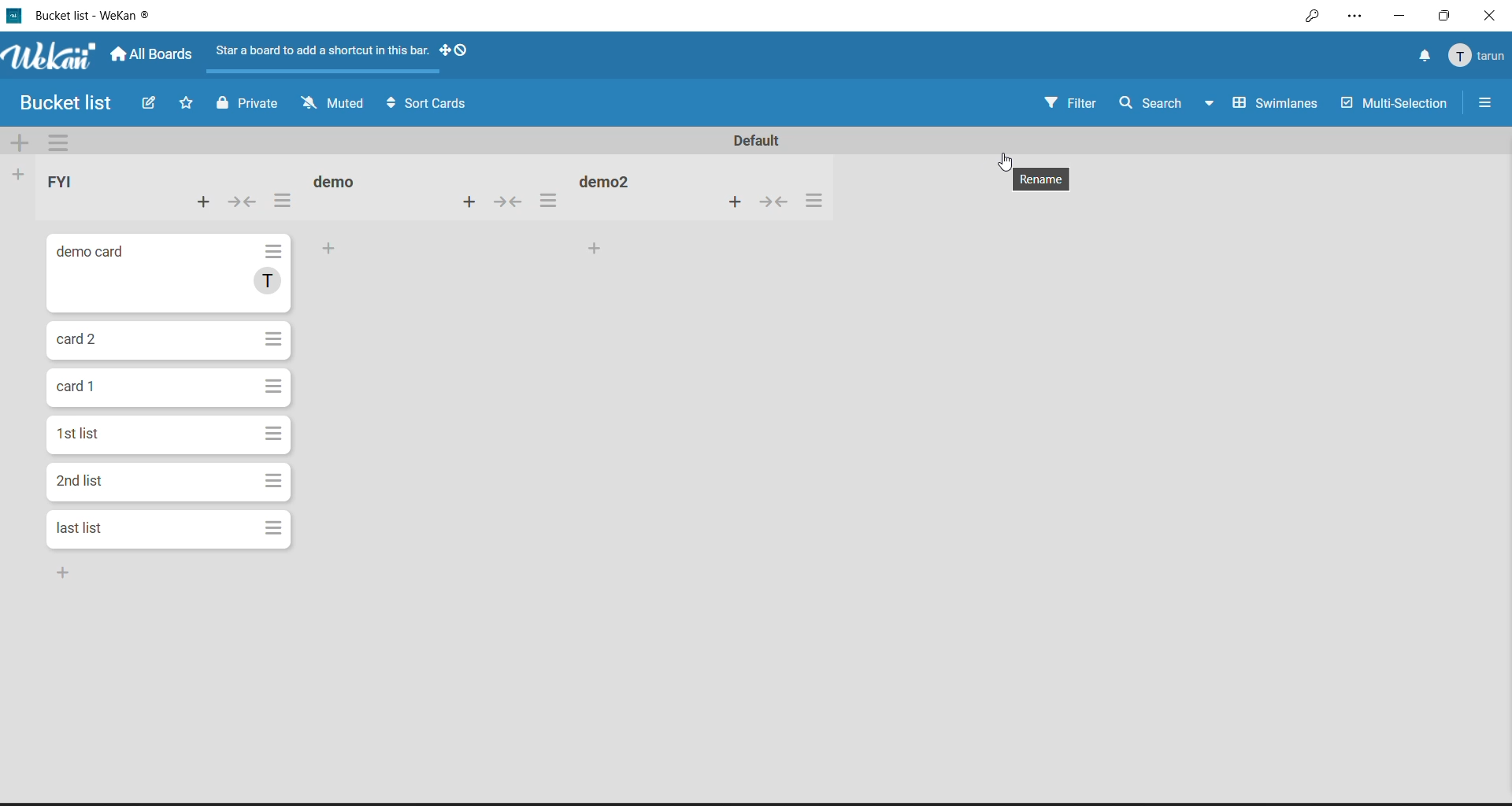 The height and width of the screenshot is (806, 1512). What do you see at coordinates (60, 571) in the screenshot?
I see `card bottom list` at bounding box center [60, 571].